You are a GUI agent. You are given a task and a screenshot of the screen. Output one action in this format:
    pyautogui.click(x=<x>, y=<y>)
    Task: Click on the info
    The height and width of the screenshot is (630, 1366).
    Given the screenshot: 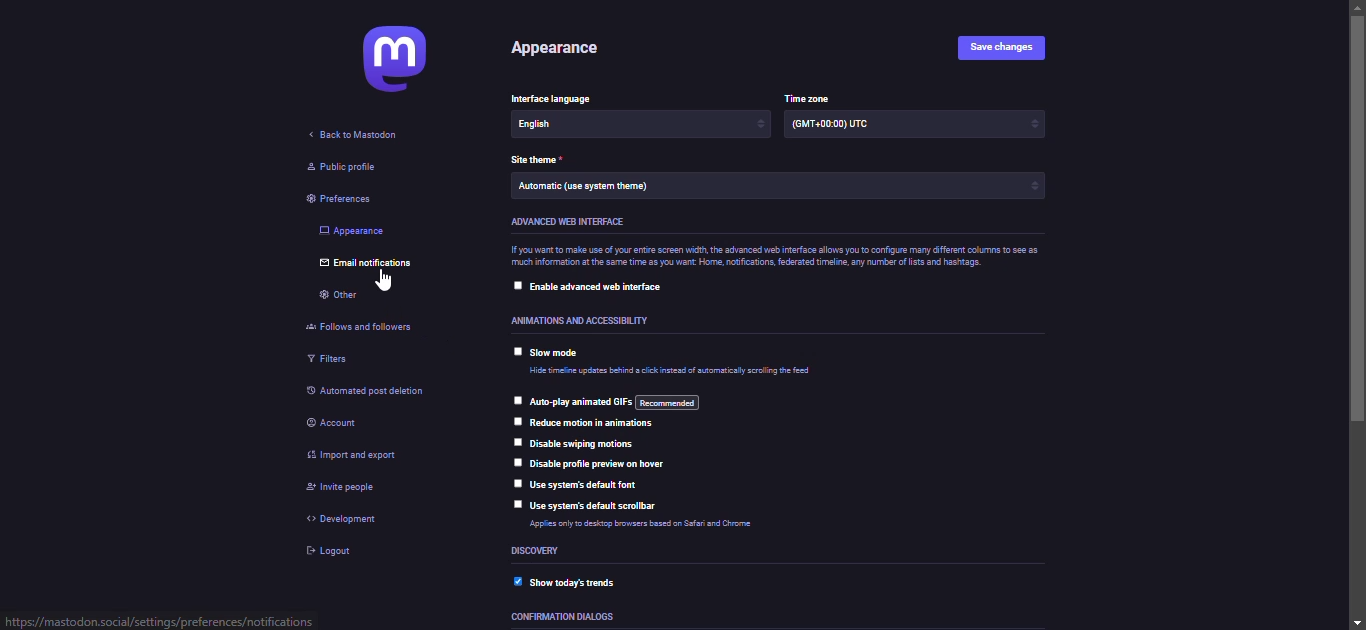 What is the action you would take?
    pyautogui.click(x=675, y=374)
    